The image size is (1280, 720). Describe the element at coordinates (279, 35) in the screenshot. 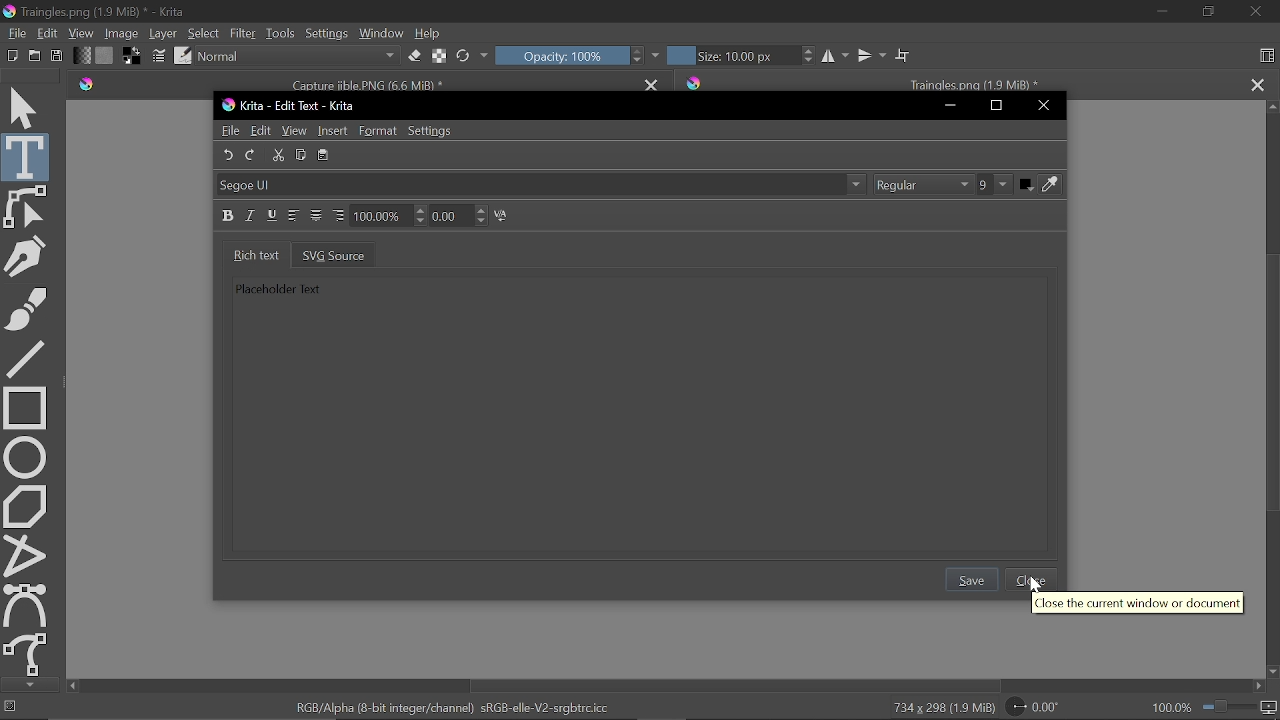

I see `Tools` at that location.